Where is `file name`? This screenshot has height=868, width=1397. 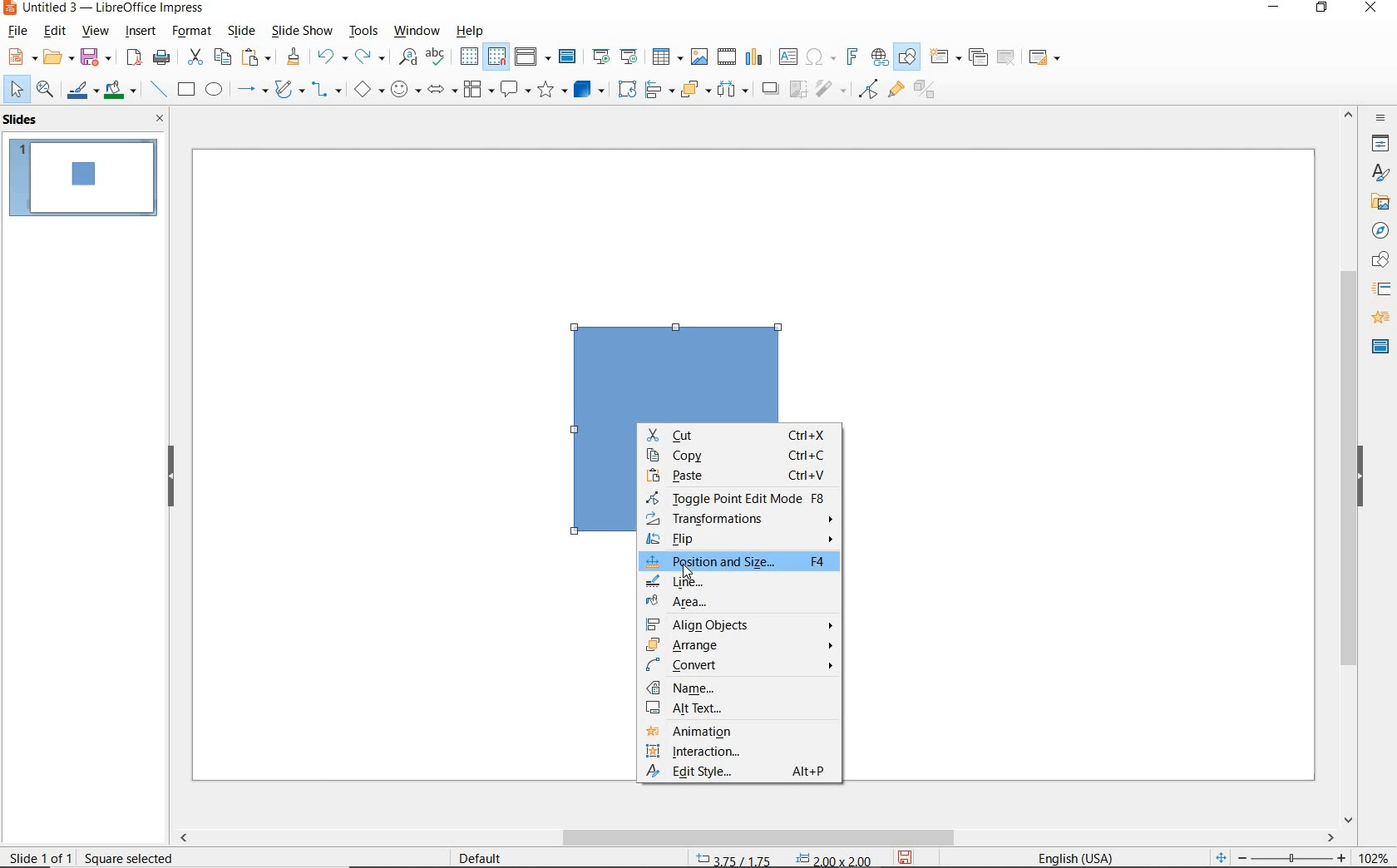
file name is located at coordinates (106, 9).